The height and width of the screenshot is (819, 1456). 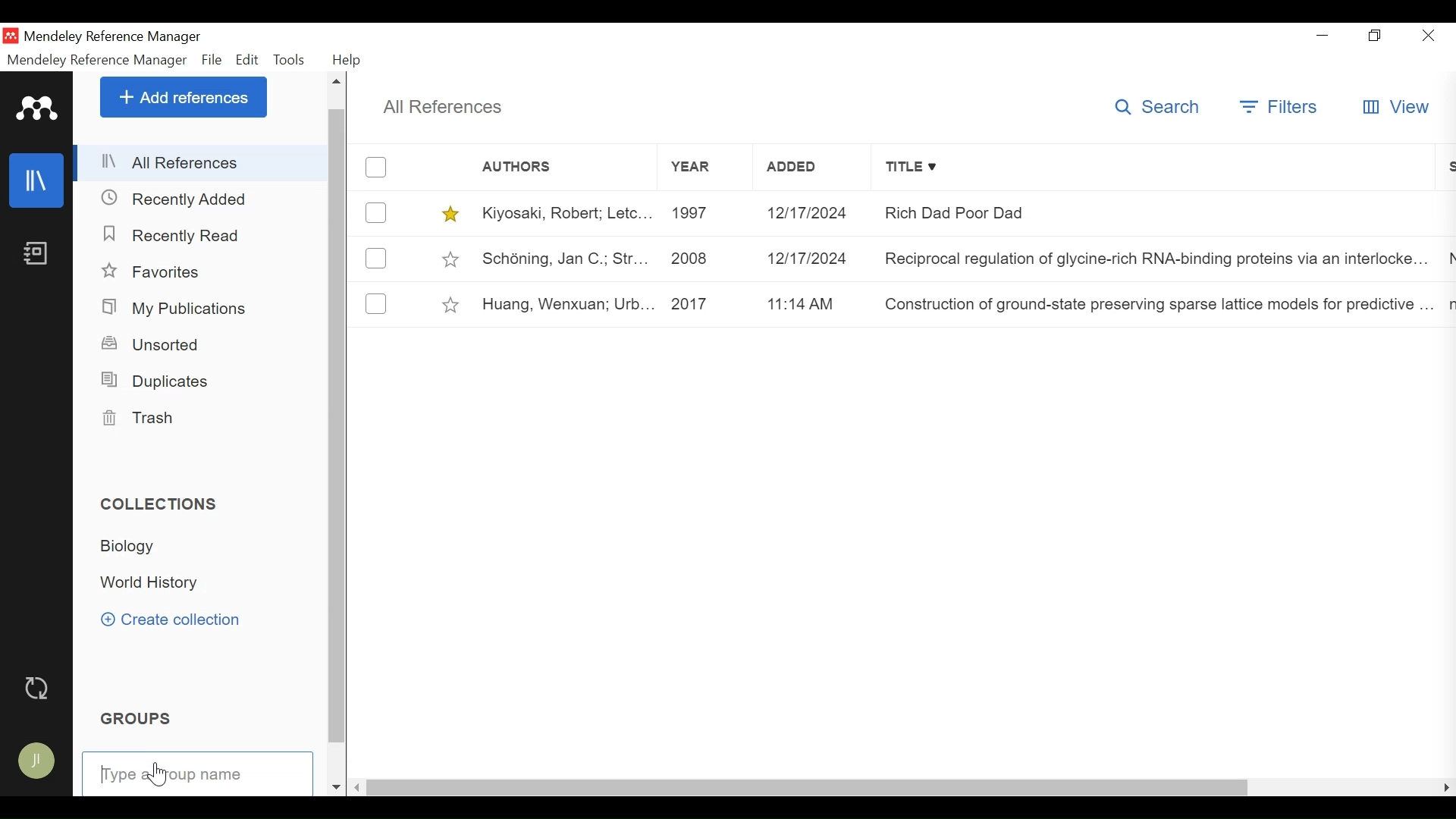 What do you see at coordinates (349, 60) in the screenshot?
I see `Help` at bounding box center [349, 60].